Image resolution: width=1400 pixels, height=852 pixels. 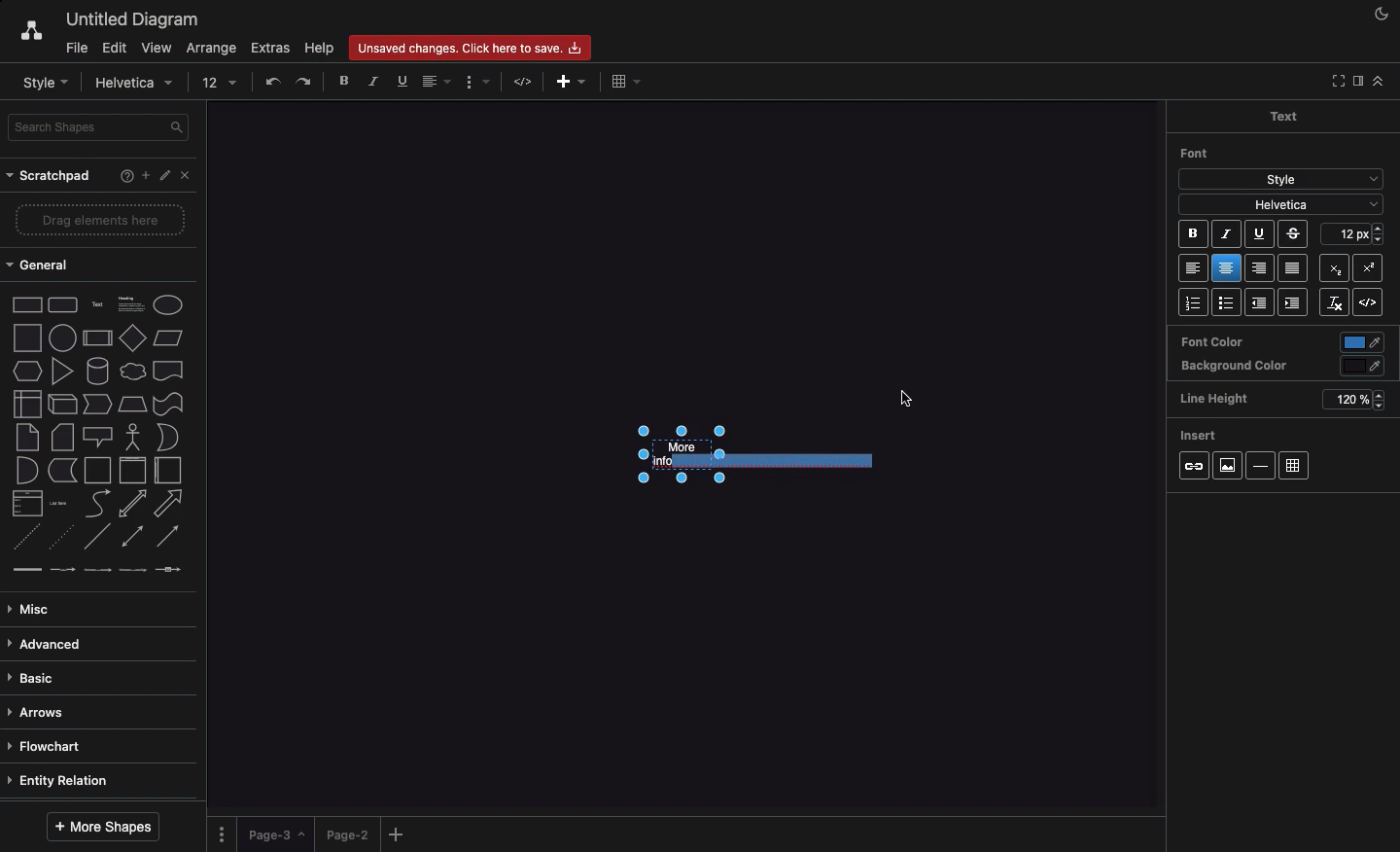 I want to click on color, so click(x=1364, y=367).